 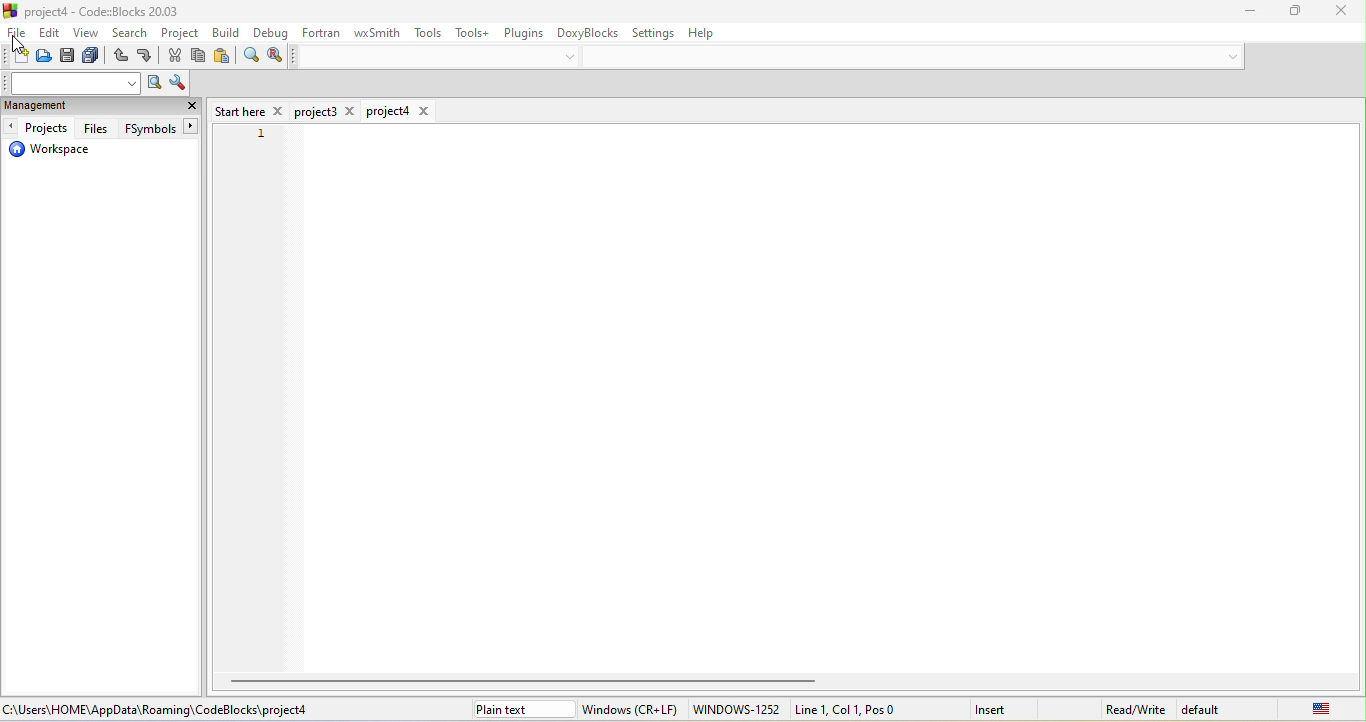 I want to click on read\write, so click(x=1135, y=706).